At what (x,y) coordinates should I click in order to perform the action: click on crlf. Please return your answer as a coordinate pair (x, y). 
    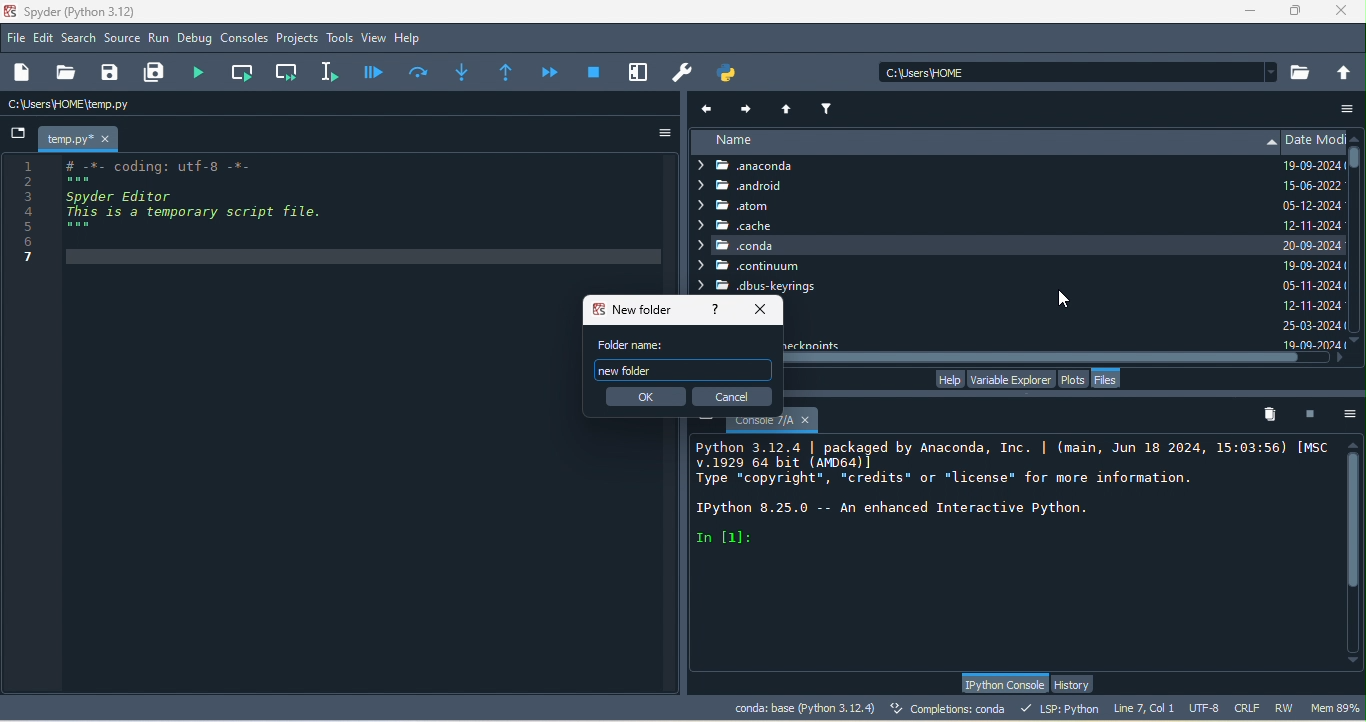
    Looking at the image, I should click on (1250, 709).